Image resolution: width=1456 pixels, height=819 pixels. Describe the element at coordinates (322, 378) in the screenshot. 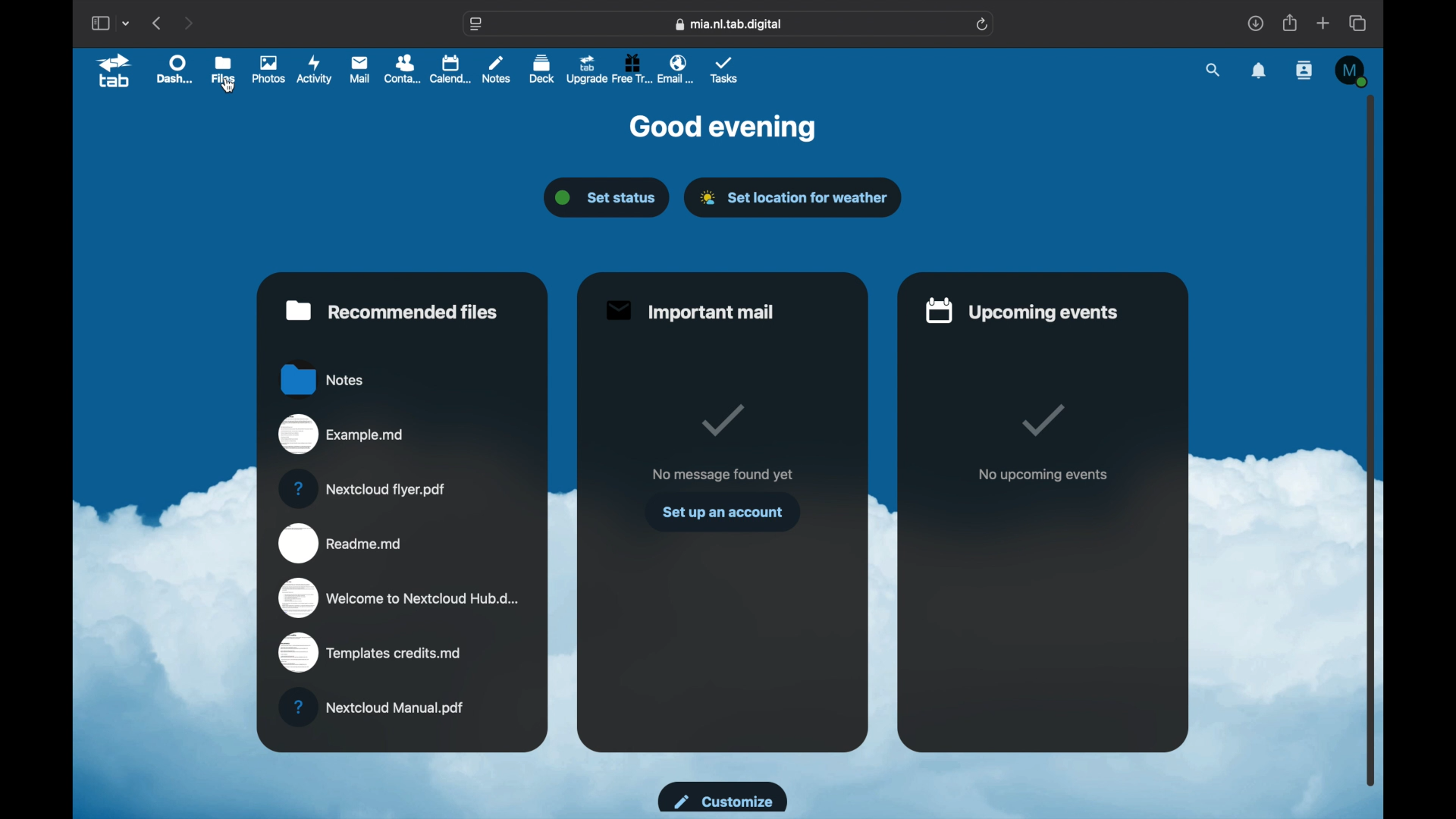

I see `notes` at that location.